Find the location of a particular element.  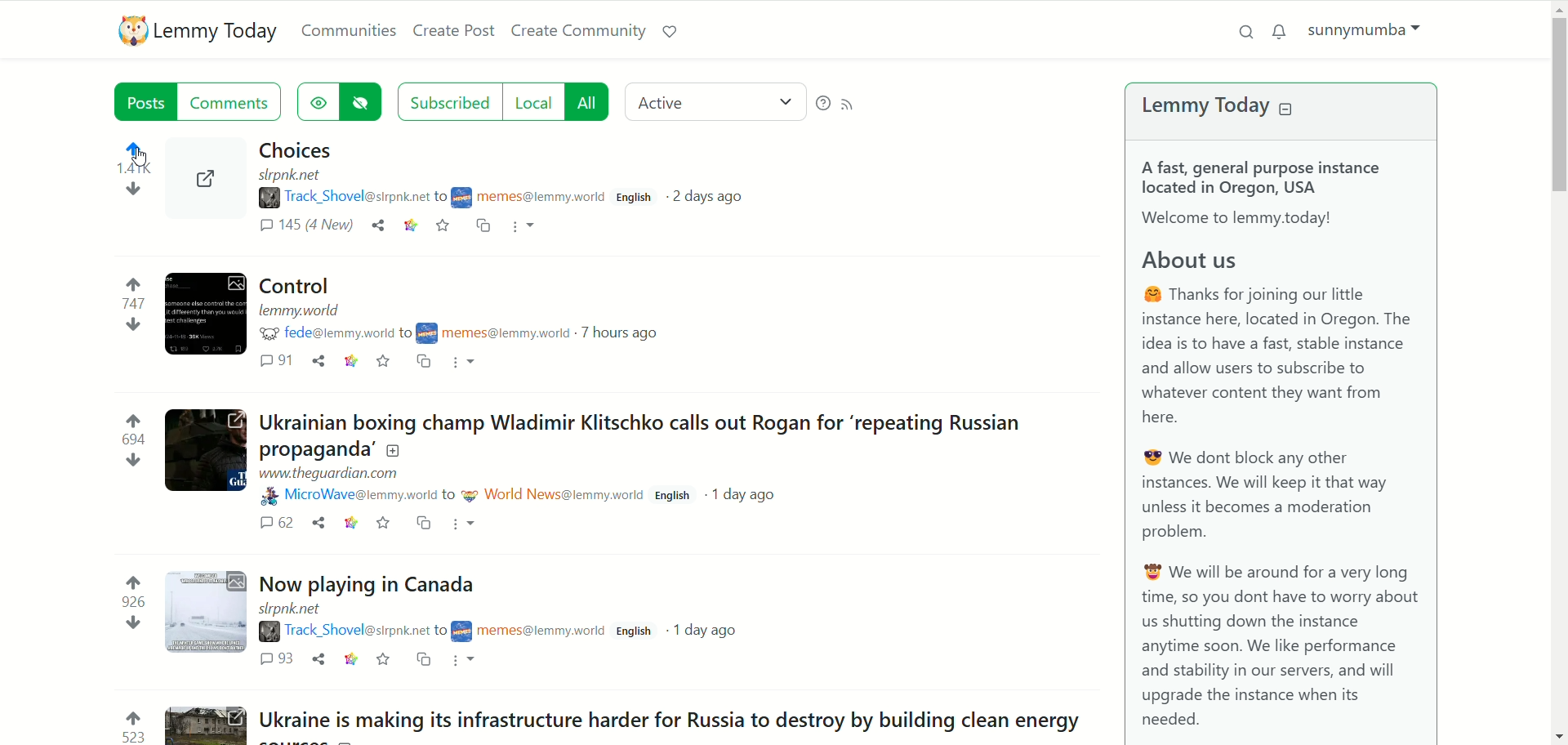

share is located at coordinates (317, 362).